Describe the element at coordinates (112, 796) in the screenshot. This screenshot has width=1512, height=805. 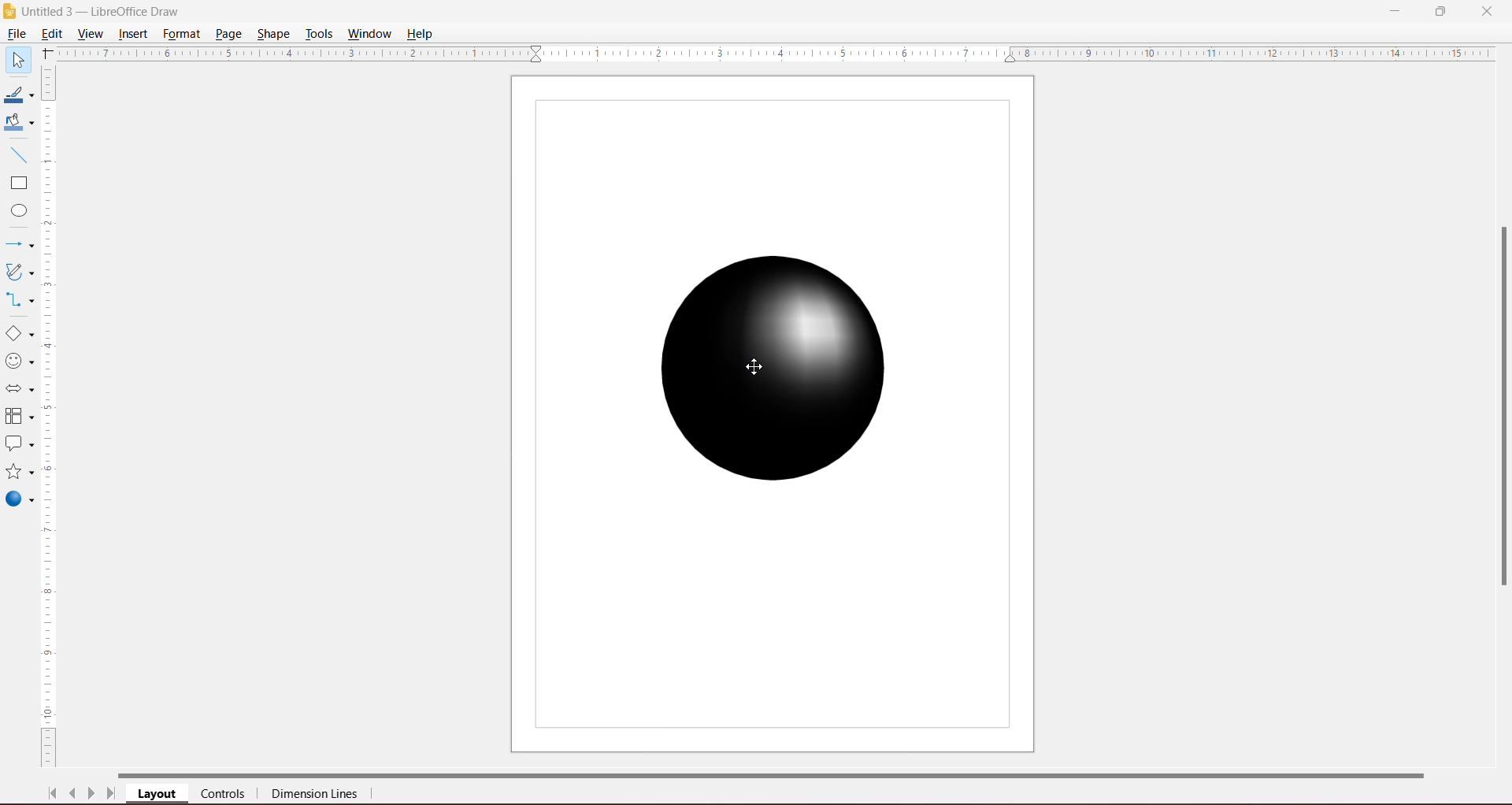
I see `Scroll to last page` at that location.